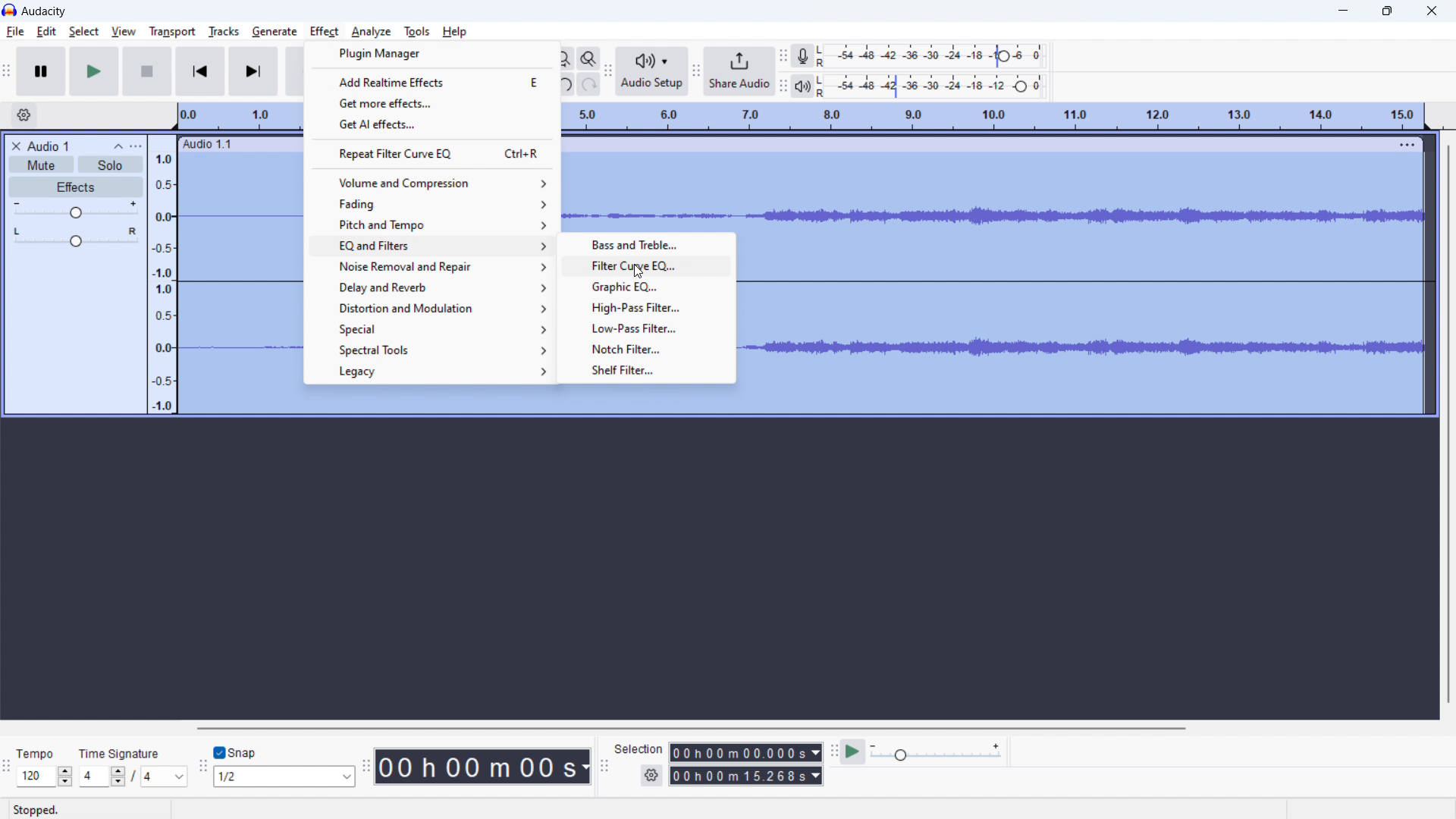 Image resolution: width=1456 pixels, height=819 pixels. Describe the element at coordinates (200, 71) in the screenshot. I see `skip to start` at that location.